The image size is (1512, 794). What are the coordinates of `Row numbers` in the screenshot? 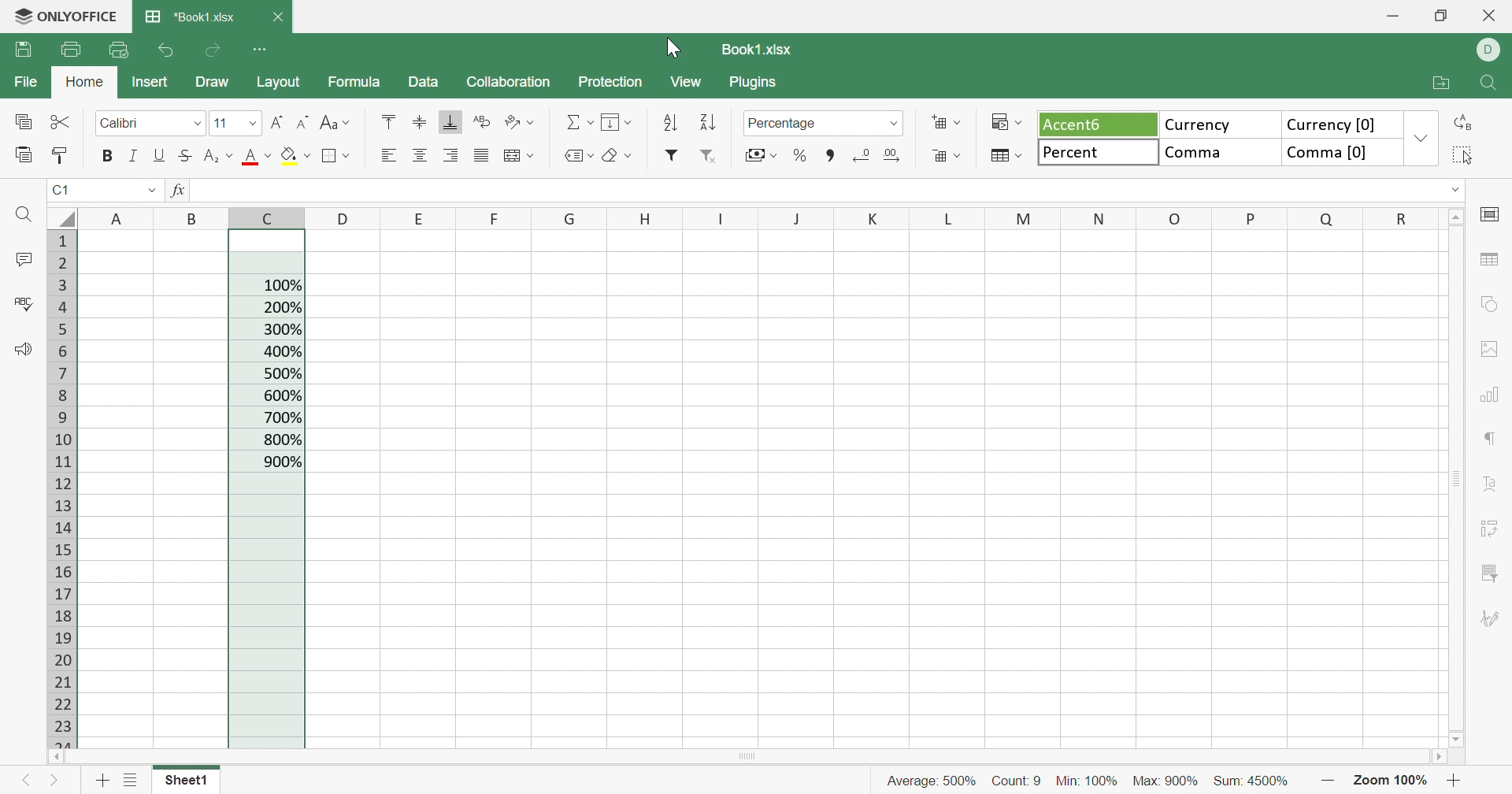 It's located at (60, 489).